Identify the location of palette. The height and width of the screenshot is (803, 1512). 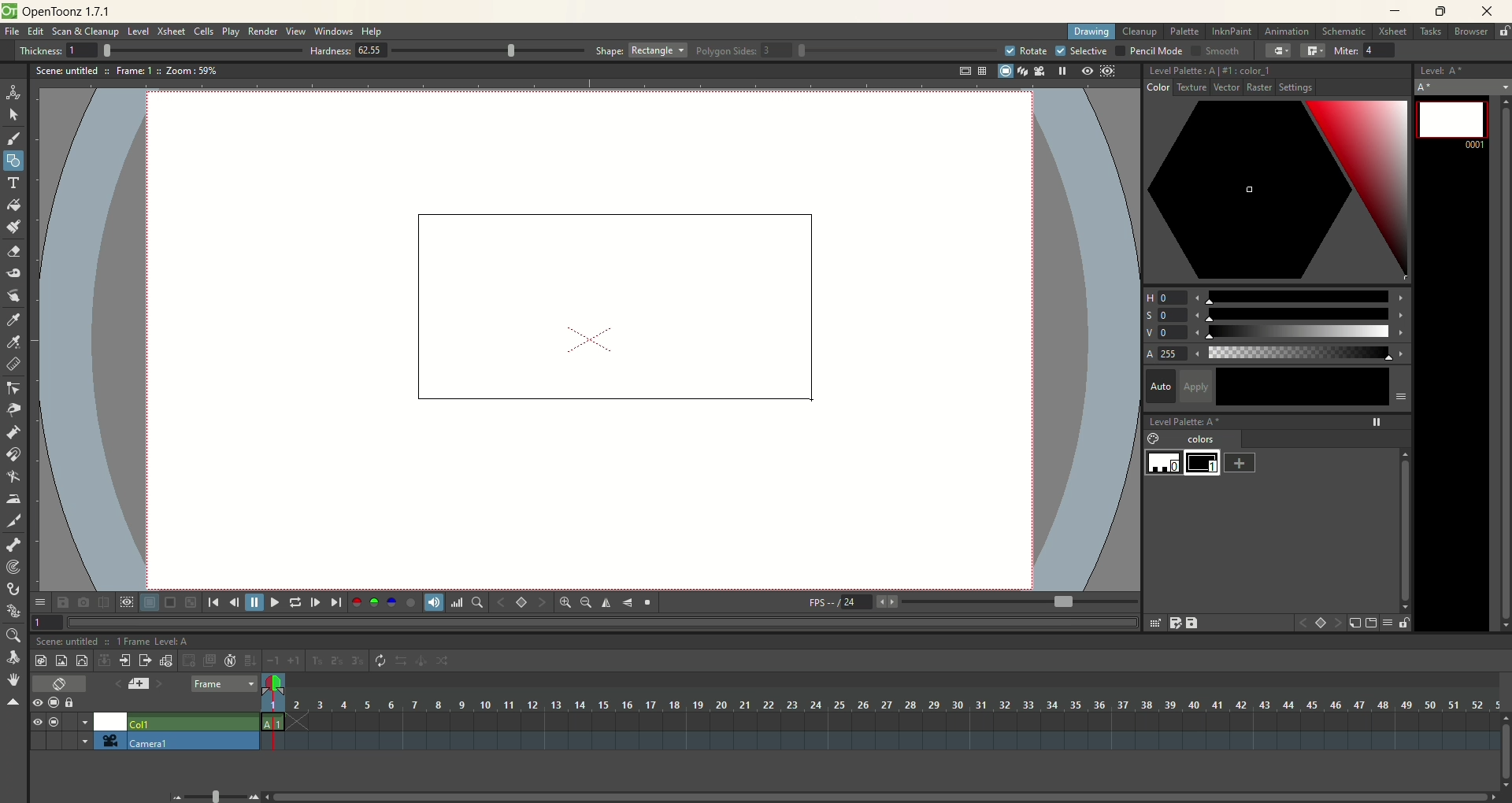
(1186, 31).